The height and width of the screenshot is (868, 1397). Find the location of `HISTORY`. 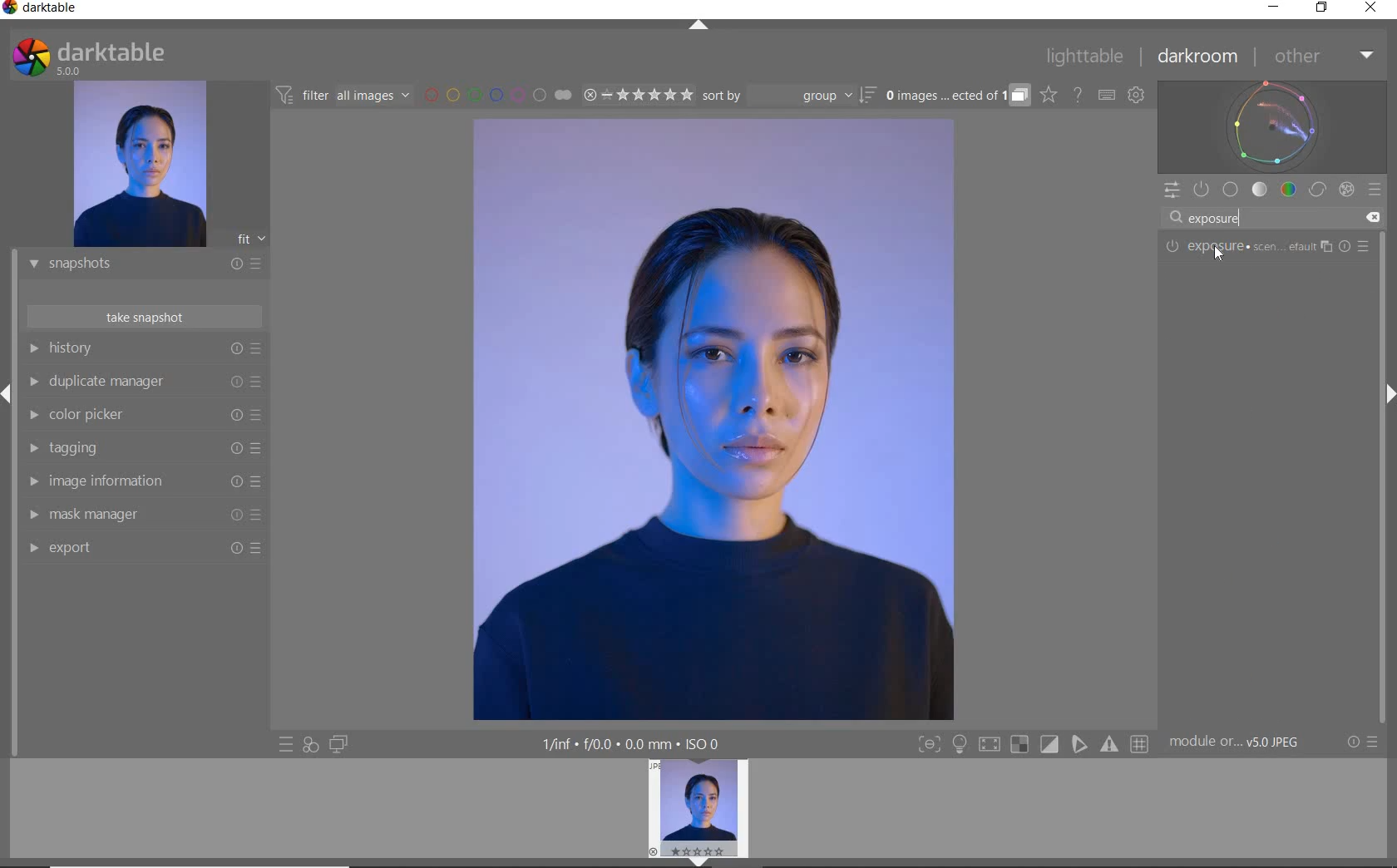

HISTORY is located at coordinates (146, 352).